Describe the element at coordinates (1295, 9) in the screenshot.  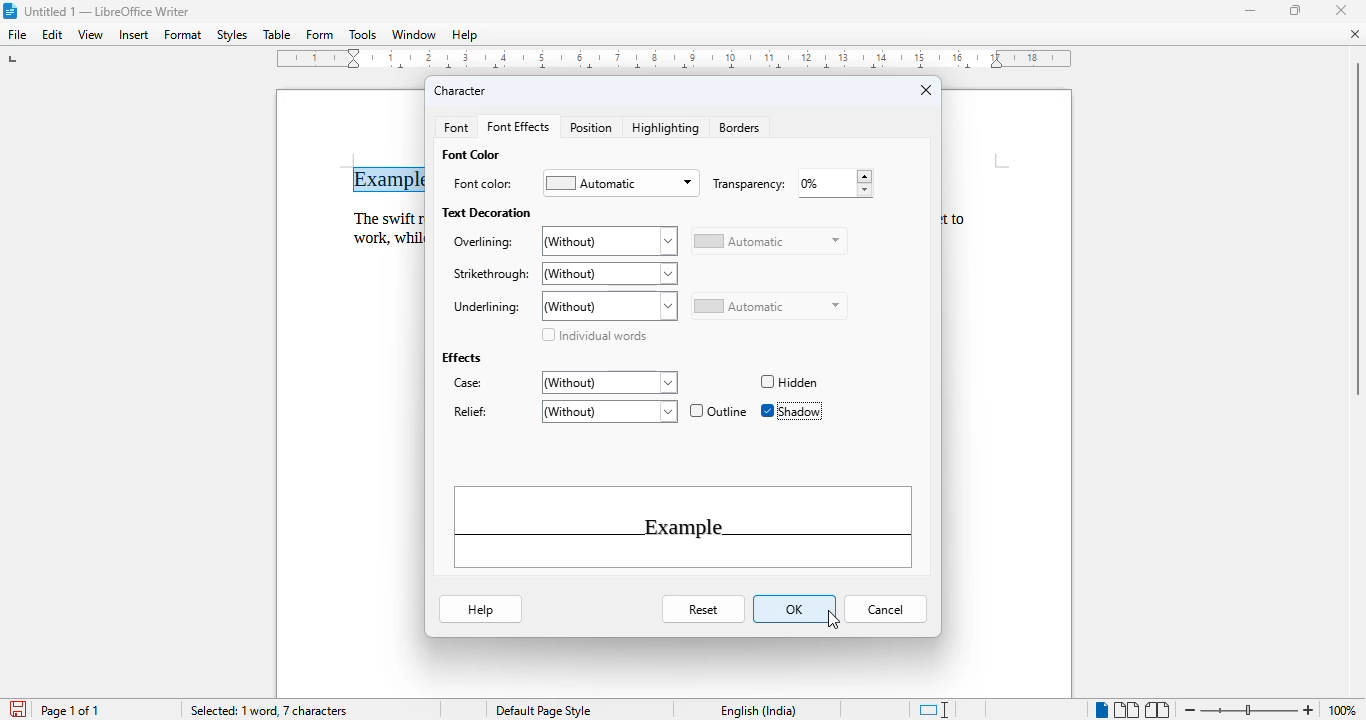
I see `maximize` at that location.